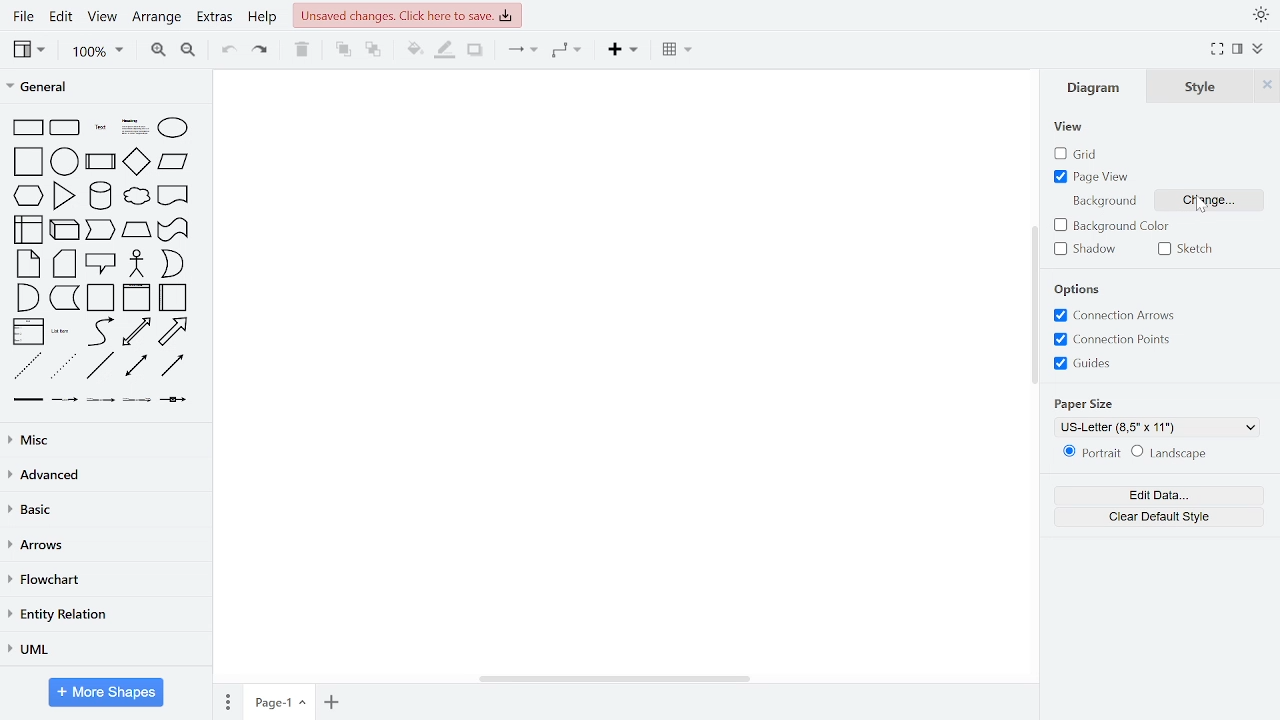 The width and height of the screenshot is (1280, 720). Describe the element at coordinates (27, 195) in the screenshot. I see `general shapes` at that location.